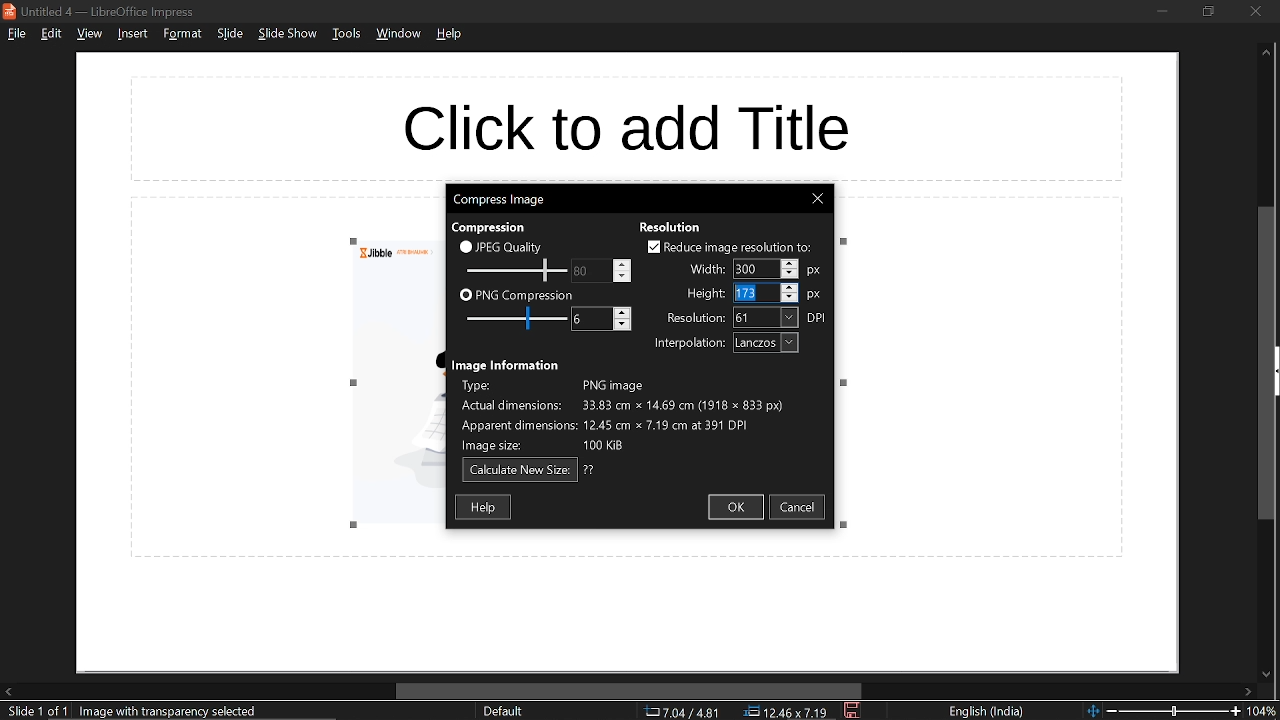  I want to click on interpolation, so click(765, 343).